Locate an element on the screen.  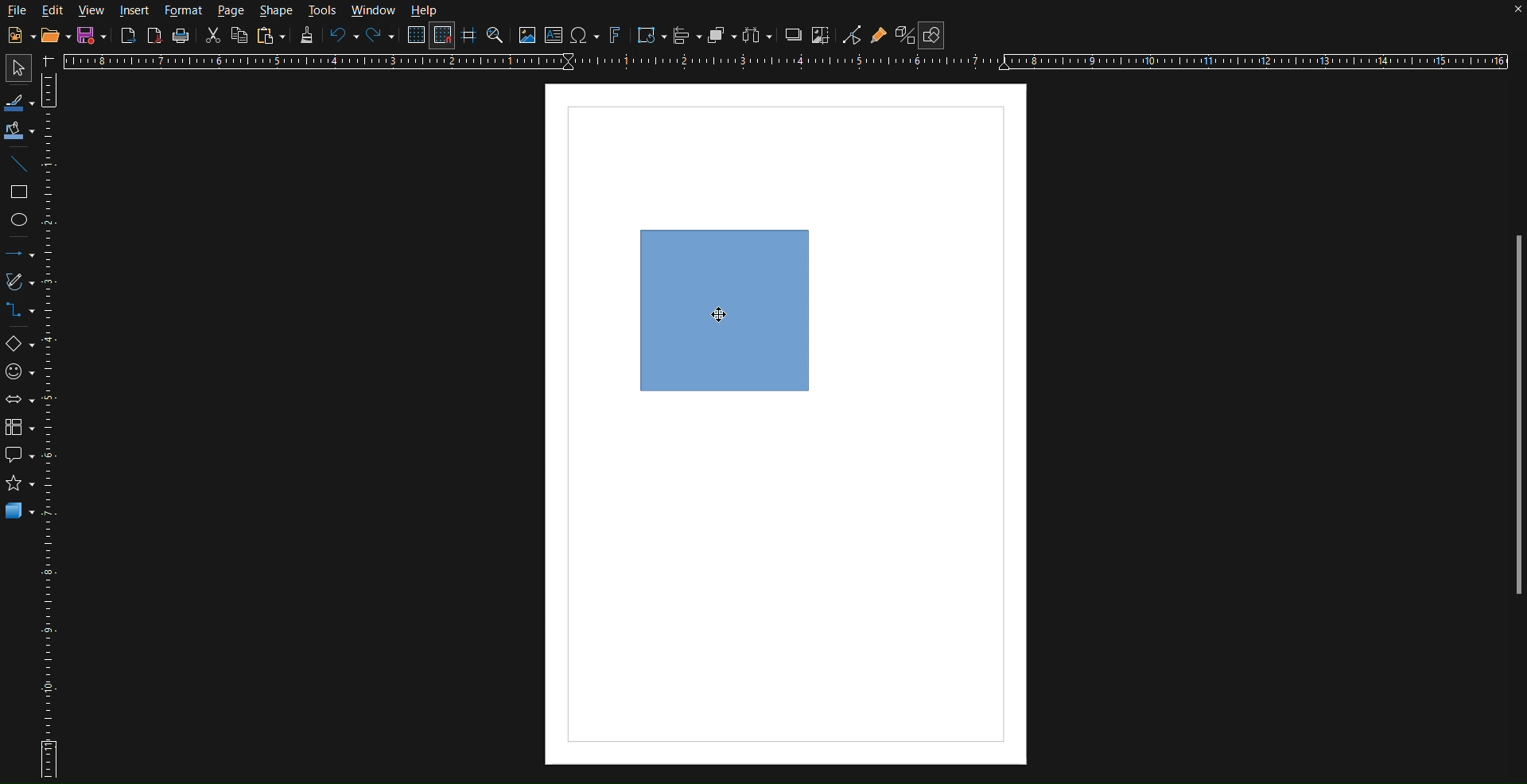
Paste is located at coordinates (273, 37).